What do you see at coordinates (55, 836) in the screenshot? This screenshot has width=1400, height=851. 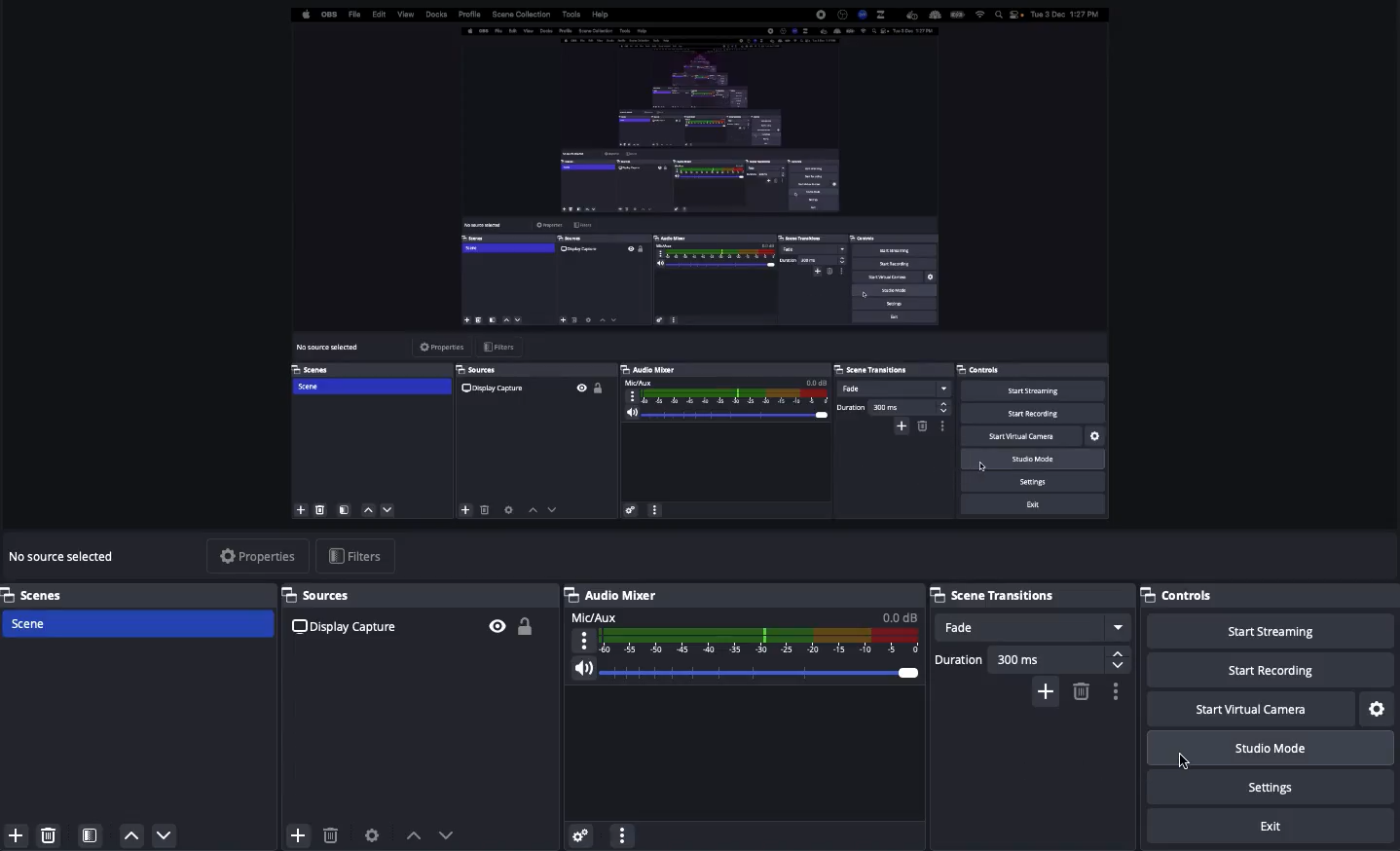 I see `delete` at bounding box center [55, 836].